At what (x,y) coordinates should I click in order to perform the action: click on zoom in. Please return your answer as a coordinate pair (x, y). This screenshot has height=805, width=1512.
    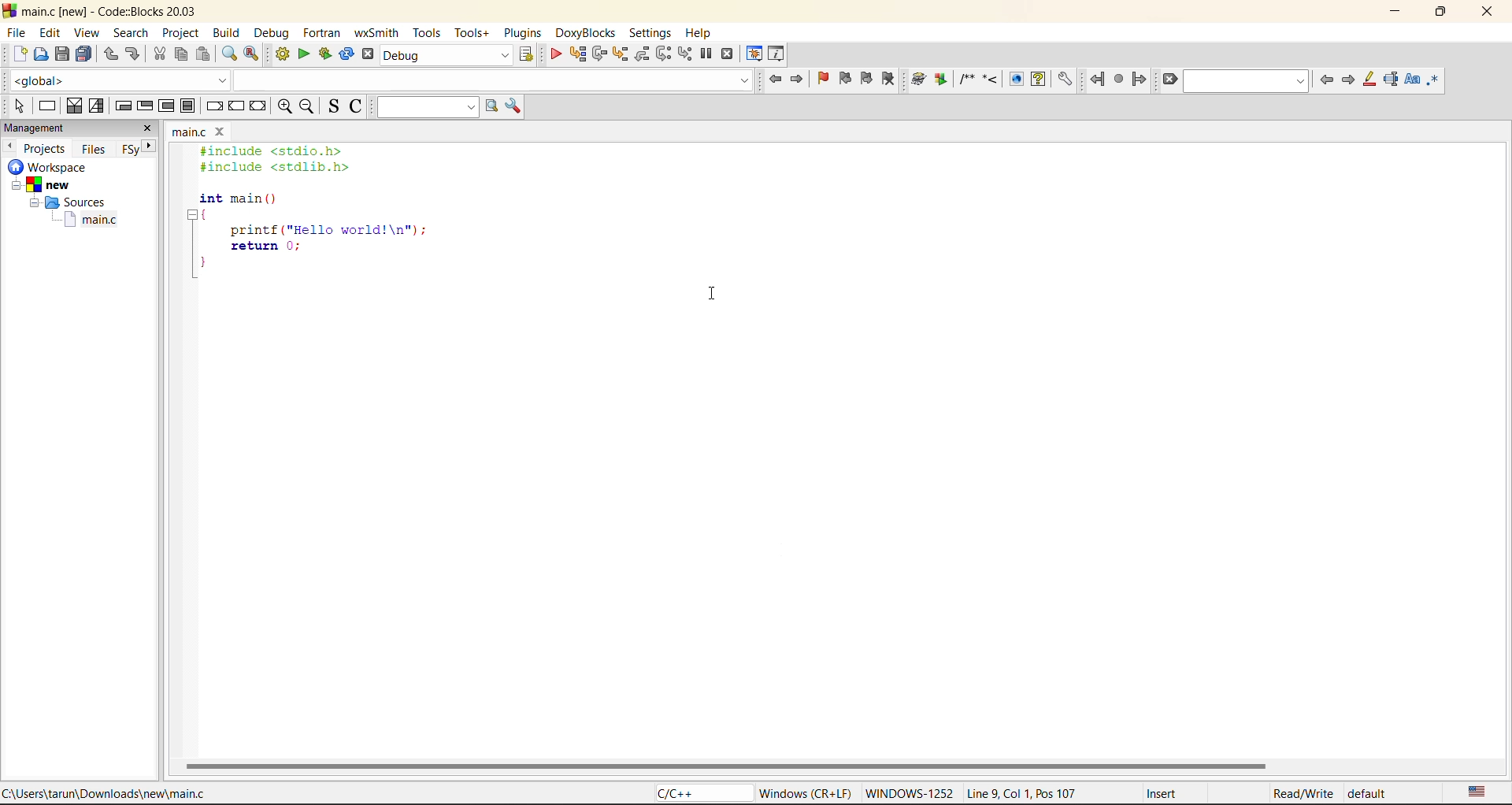
    Looking at the image, I should click on (283, 107).